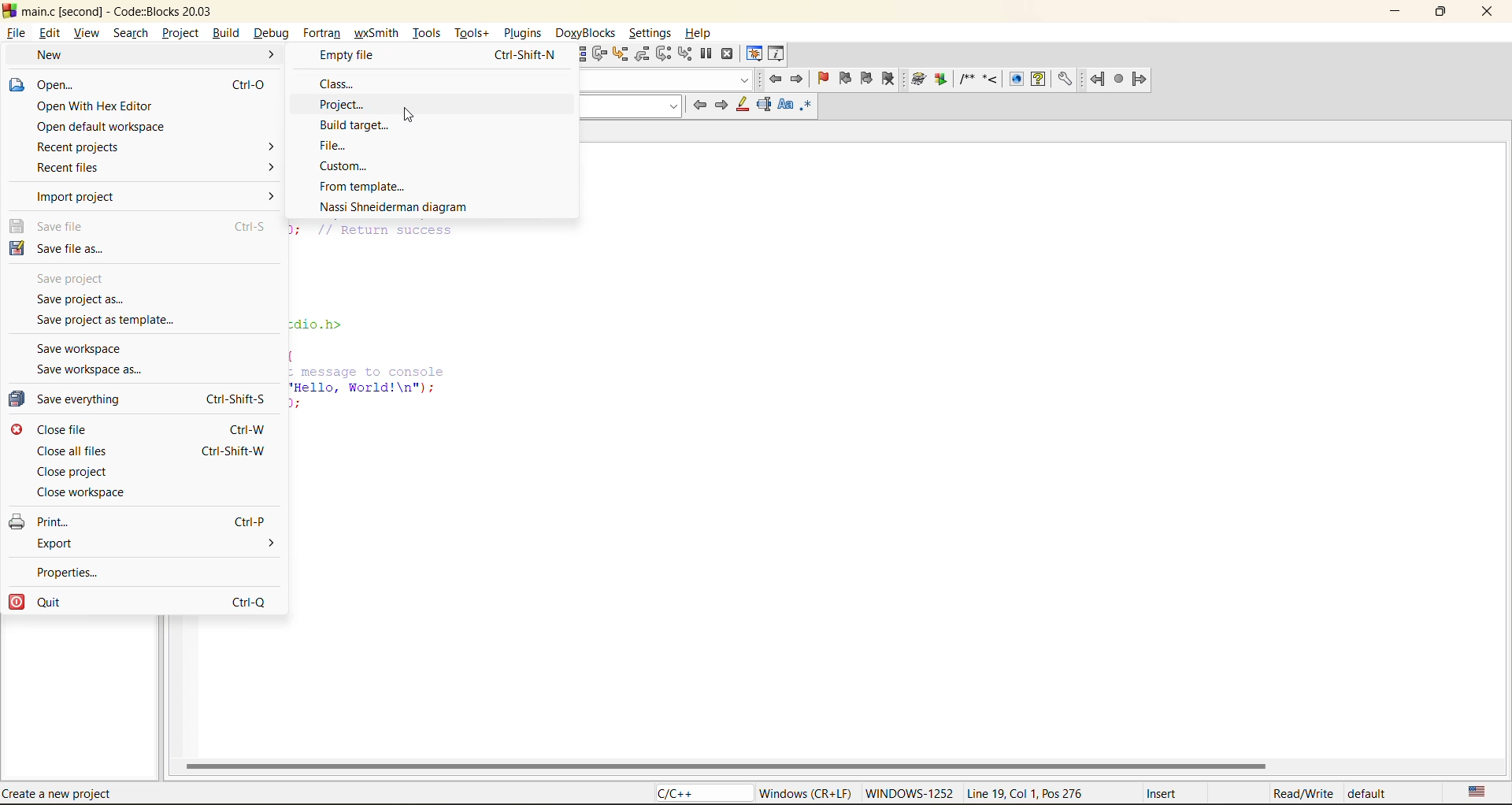  What do you see at coordinates (652, 32) in the screenshot?
I see `settings` at bounding box center [652, 32].